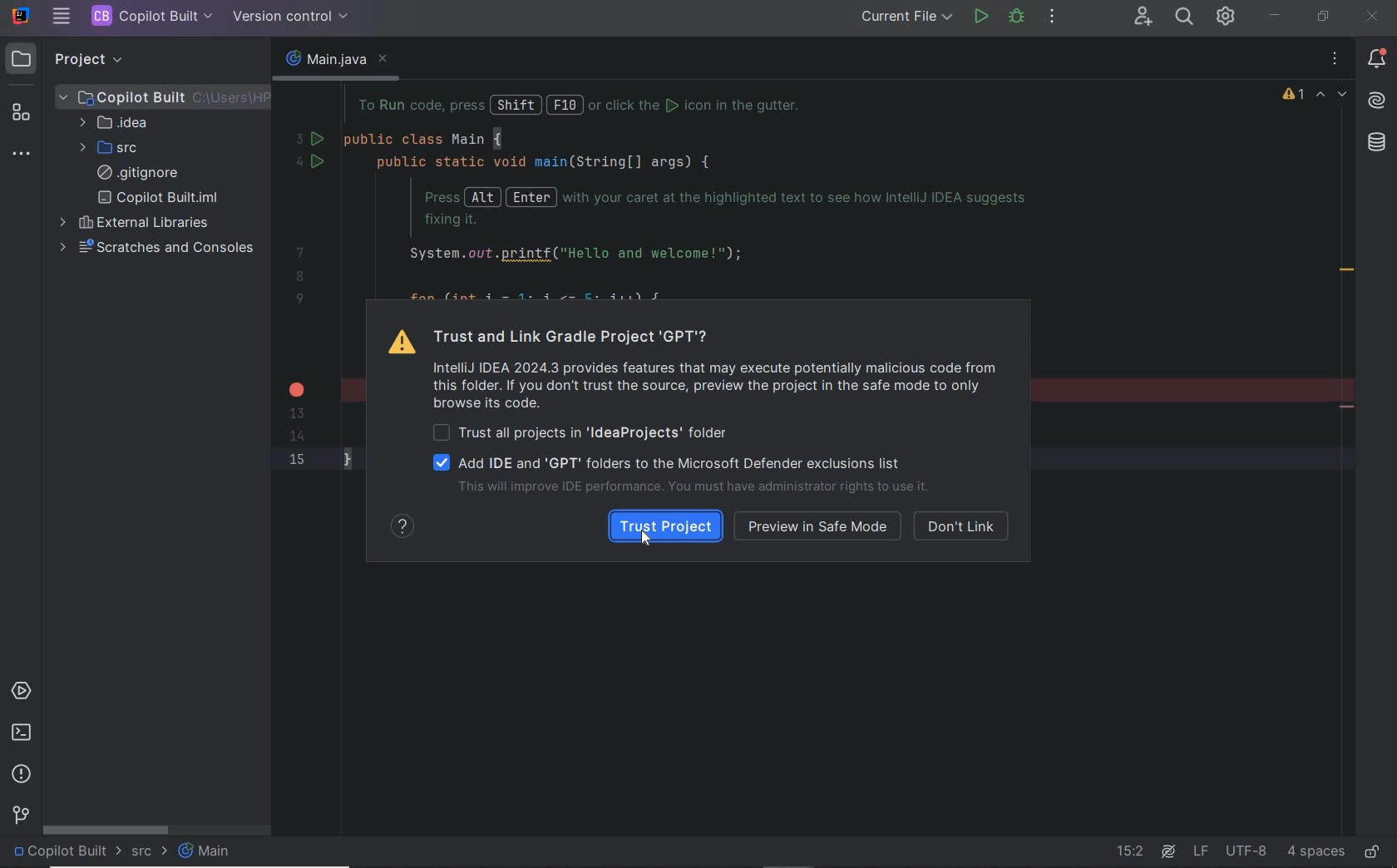 The width and height of the screenshot is (1397, 868). I want to click on line separator, so click(1203, 852).